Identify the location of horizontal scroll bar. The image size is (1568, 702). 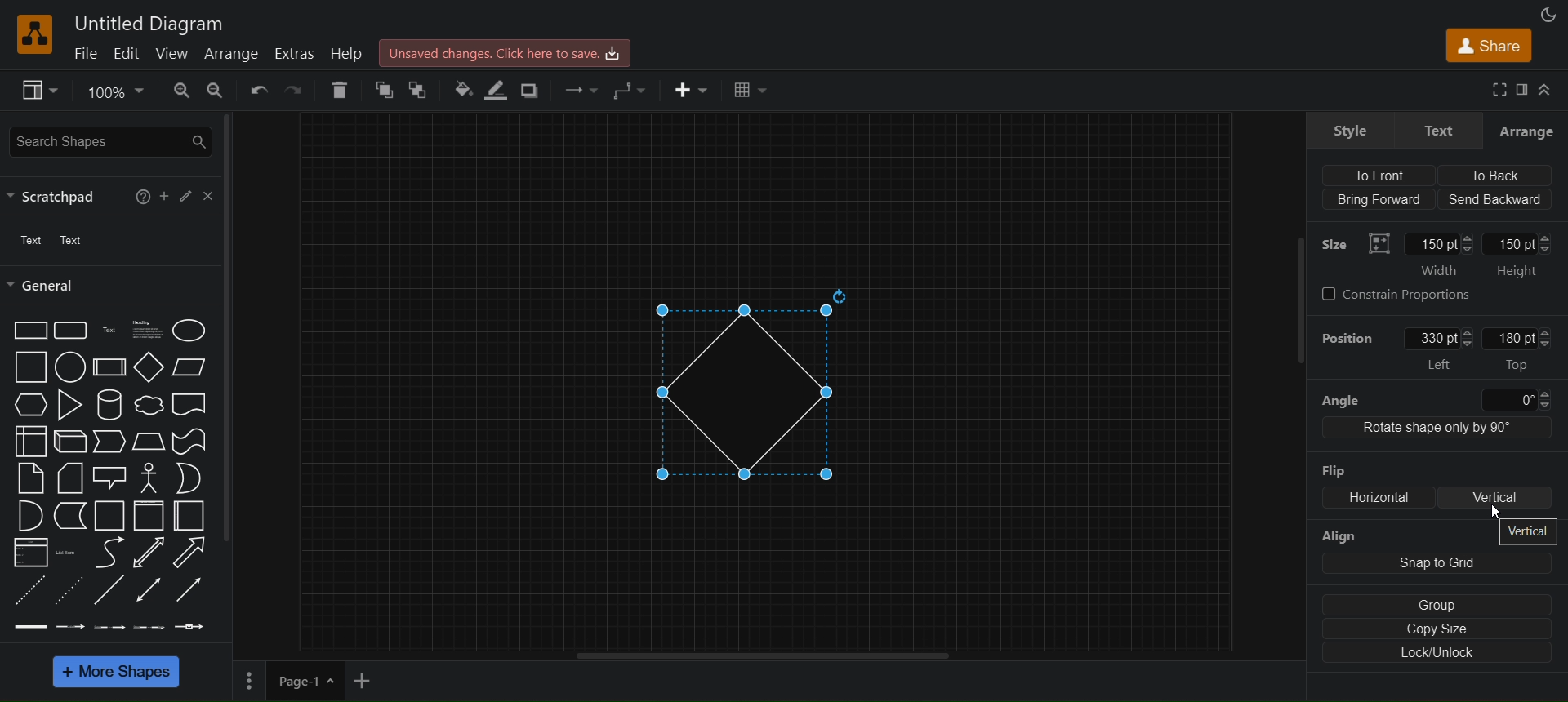
(763, 656).